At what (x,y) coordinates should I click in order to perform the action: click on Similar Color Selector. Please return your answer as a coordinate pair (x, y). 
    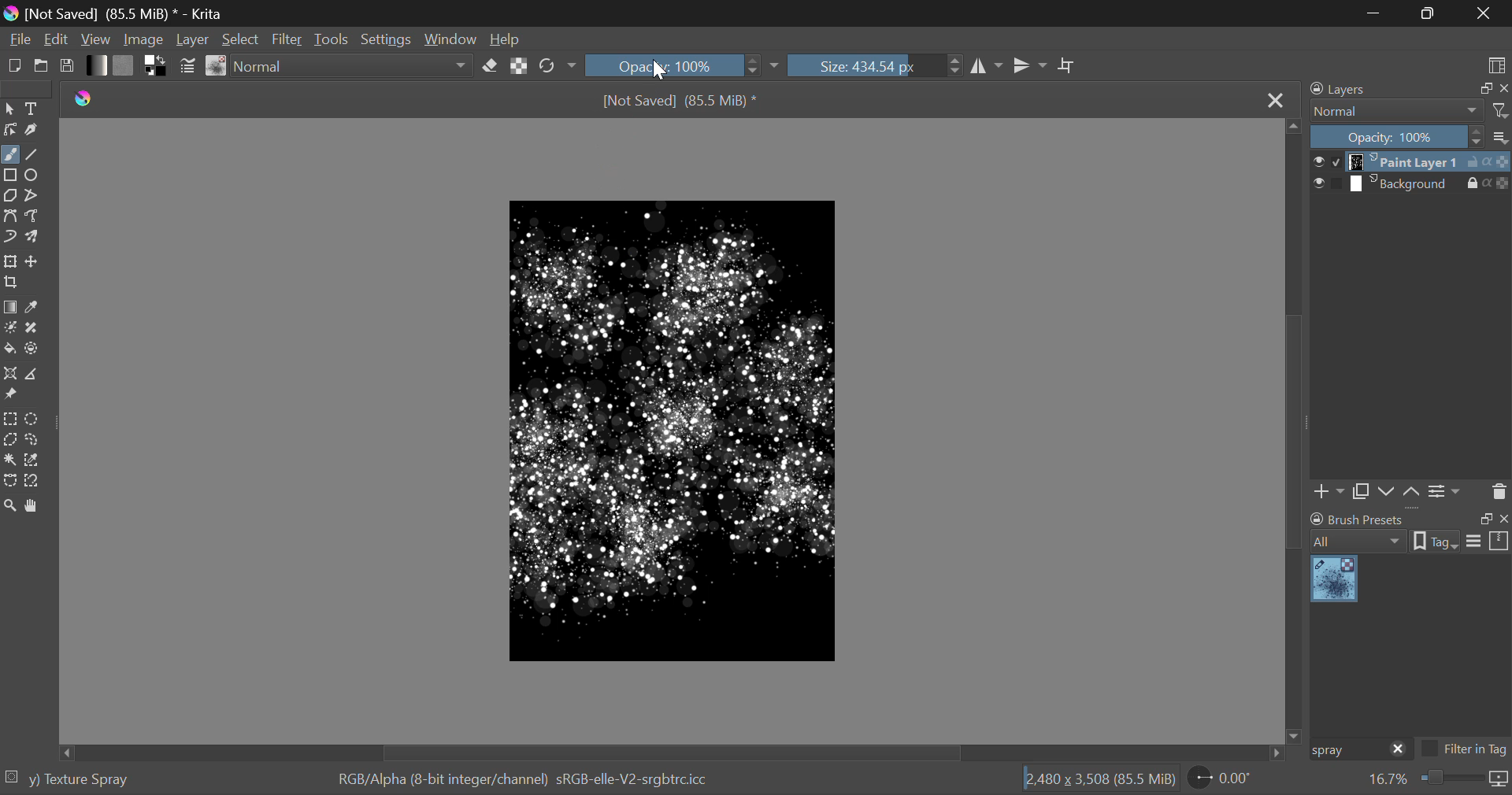
    Looking at the image, I should click on (35, 460).